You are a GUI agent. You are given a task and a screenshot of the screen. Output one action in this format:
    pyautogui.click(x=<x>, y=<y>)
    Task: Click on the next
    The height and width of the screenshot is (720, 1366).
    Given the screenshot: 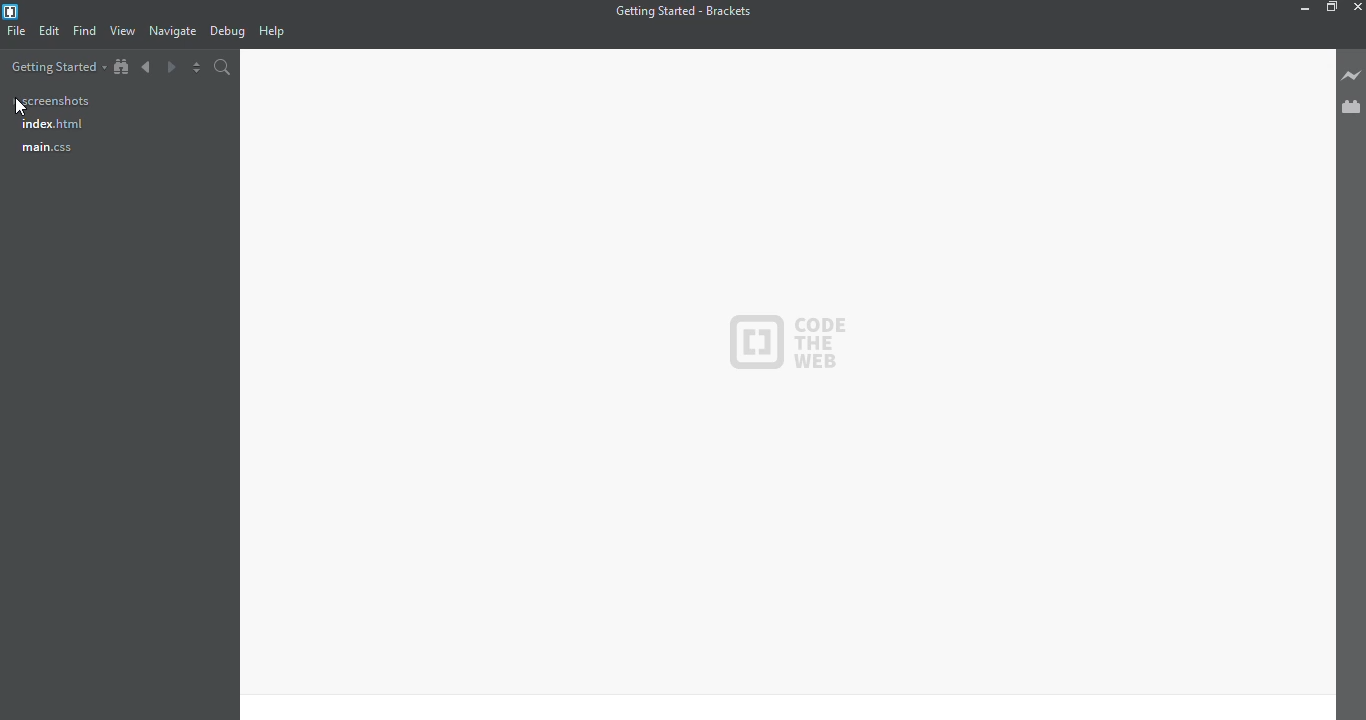 What is the action you would take?
    pyautogui.click(x=171, y=67)
    